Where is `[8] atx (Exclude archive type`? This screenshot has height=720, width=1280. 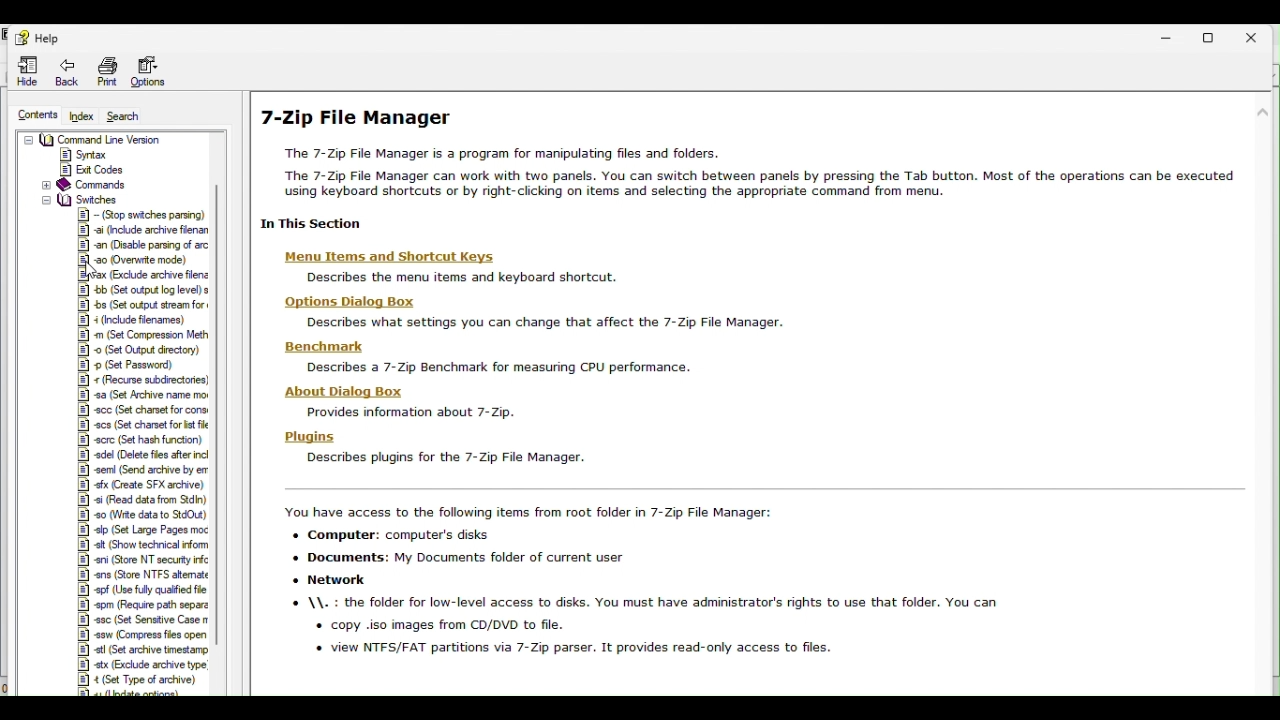 [8] atx (Exclude archive type is located at coordinates (145, 664).